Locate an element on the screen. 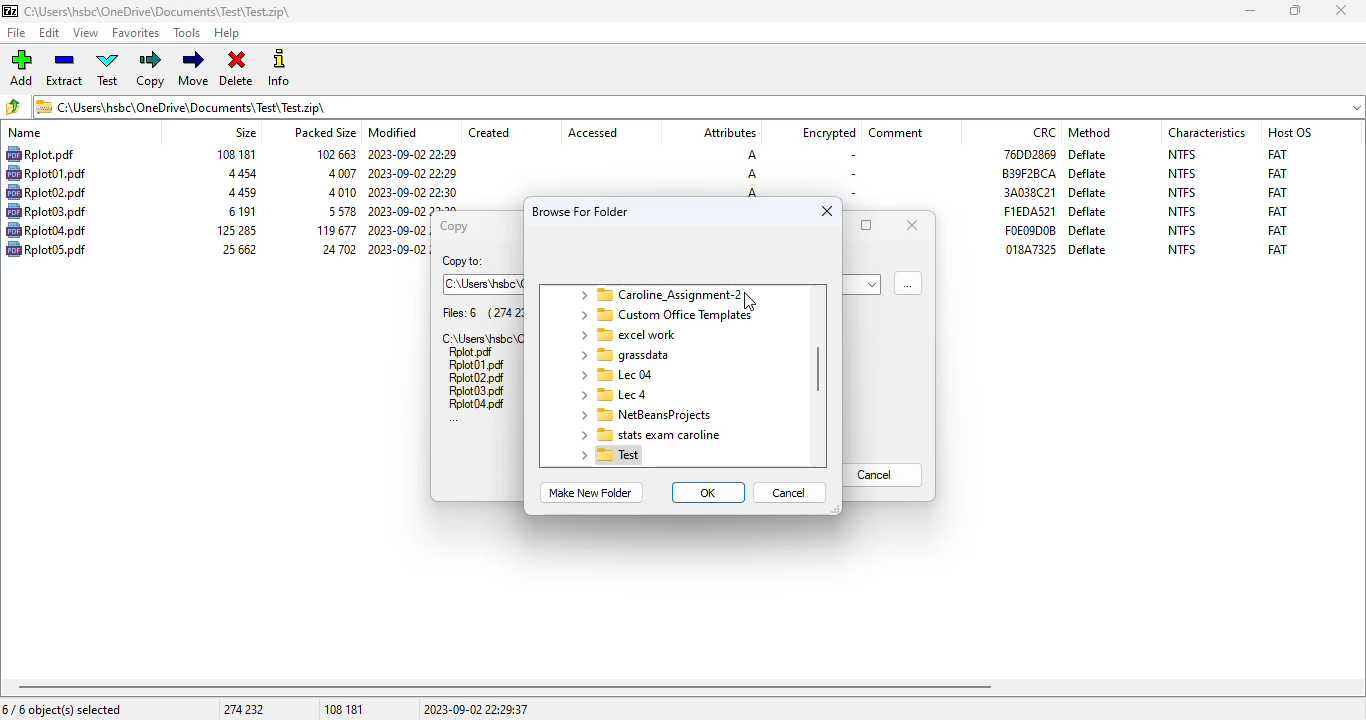 This screenshot has width=1366, height=720. file is located at coordinates (46, 230).